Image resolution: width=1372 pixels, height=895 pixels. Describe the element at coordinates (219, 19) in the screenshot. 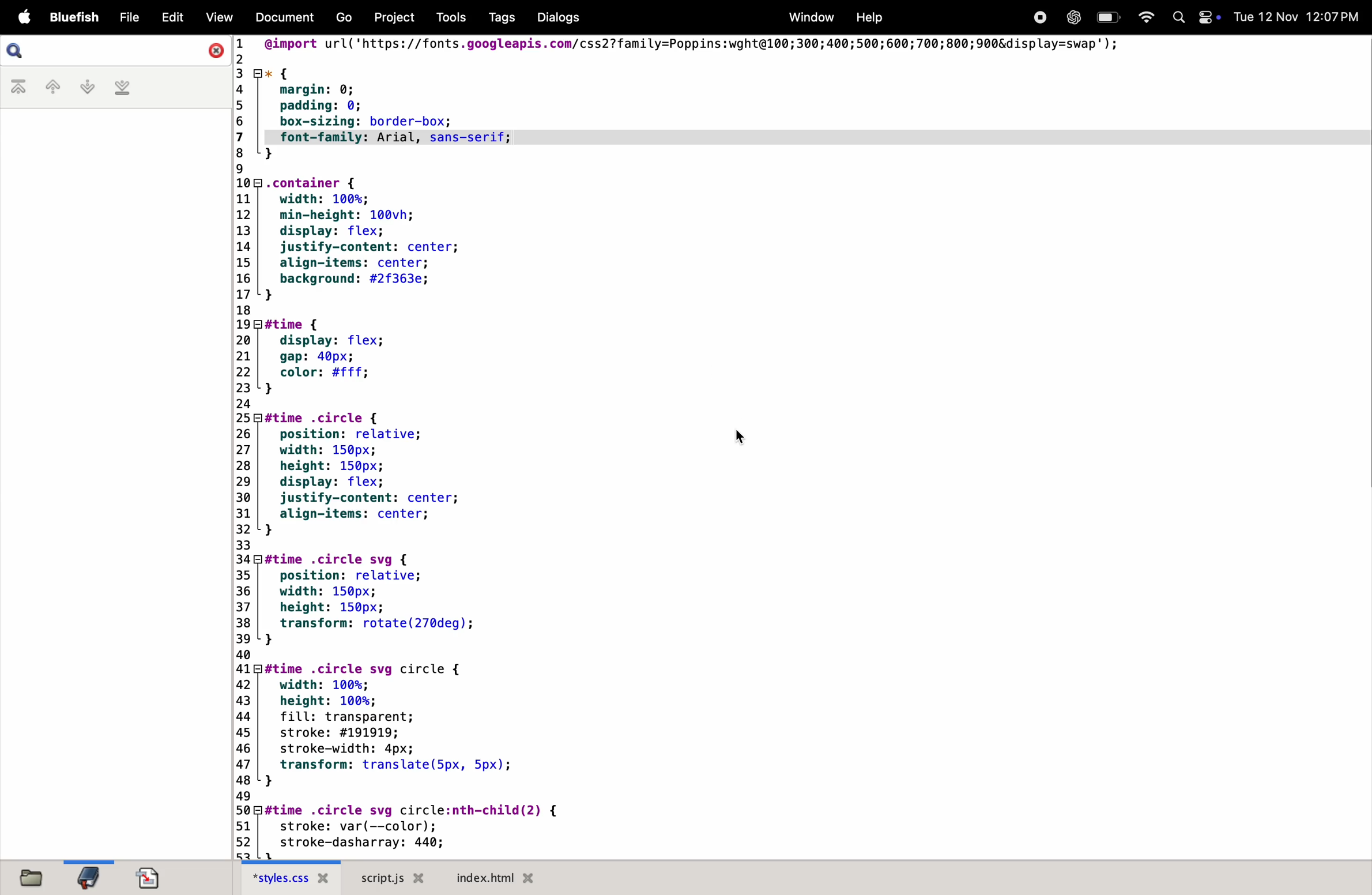

I see `view` at that location.